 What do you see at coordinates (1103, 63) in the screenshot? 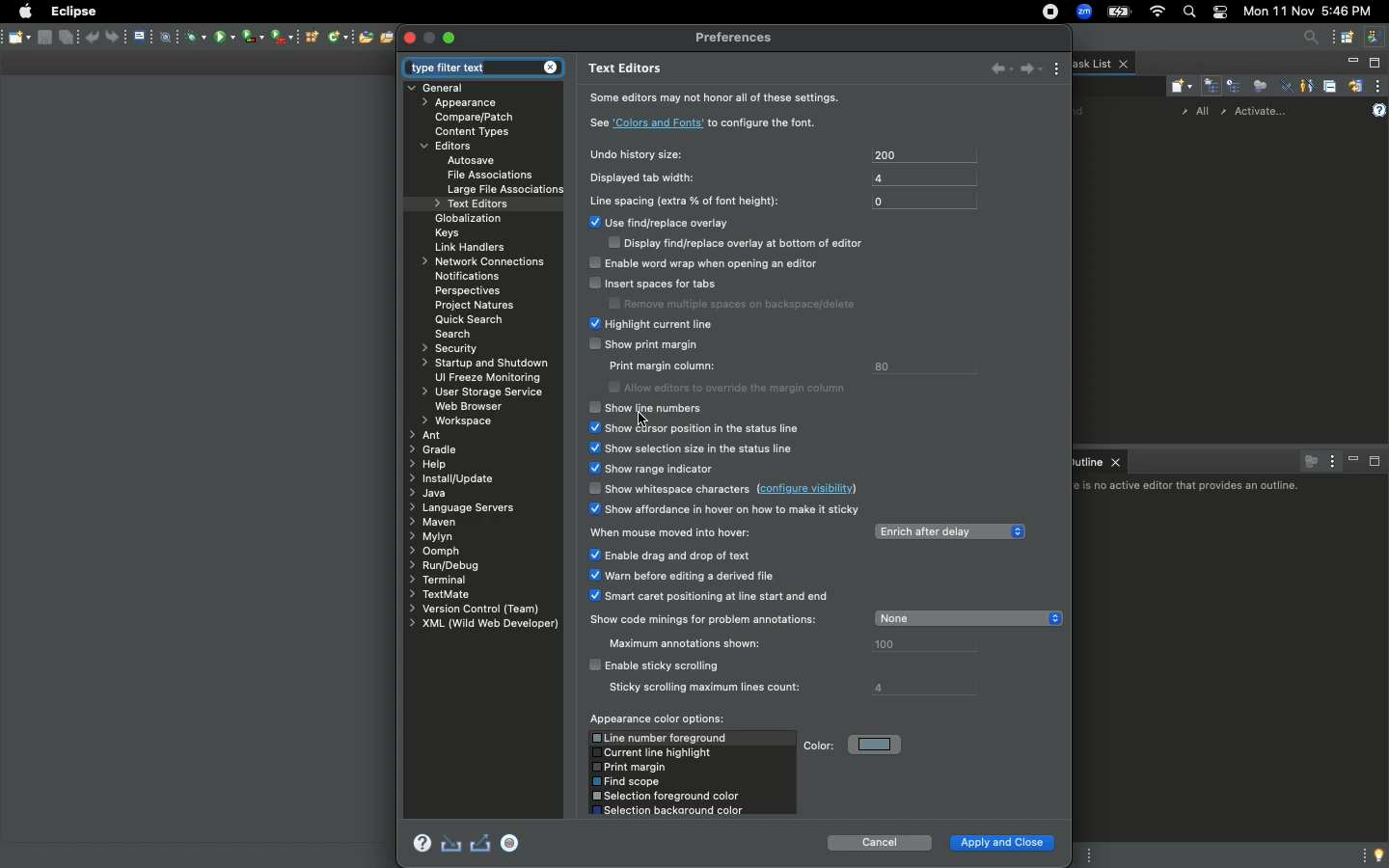
I see `Task list` at bounding box center [1103, 63].